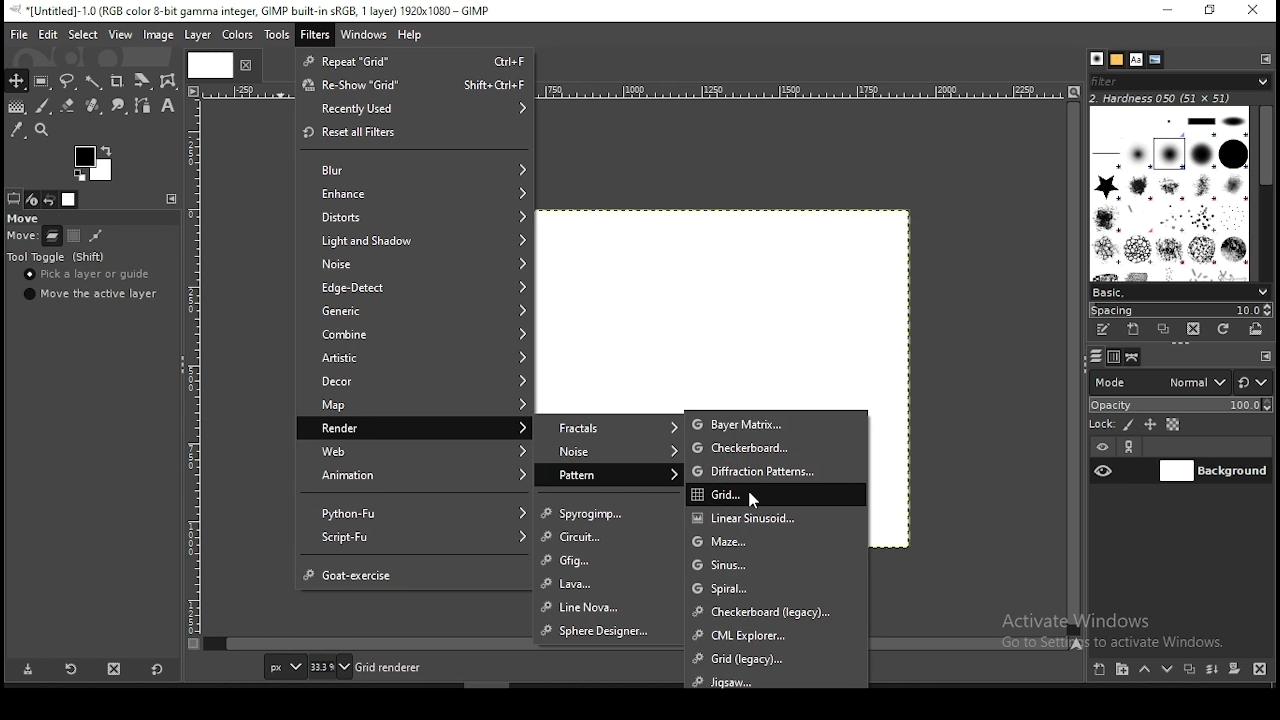 Image resolution: width=1280 pixels, height=720 pixels. Describe the element at coordinates (68, 81) in the screenshot. I see `free selection tool` at that location.